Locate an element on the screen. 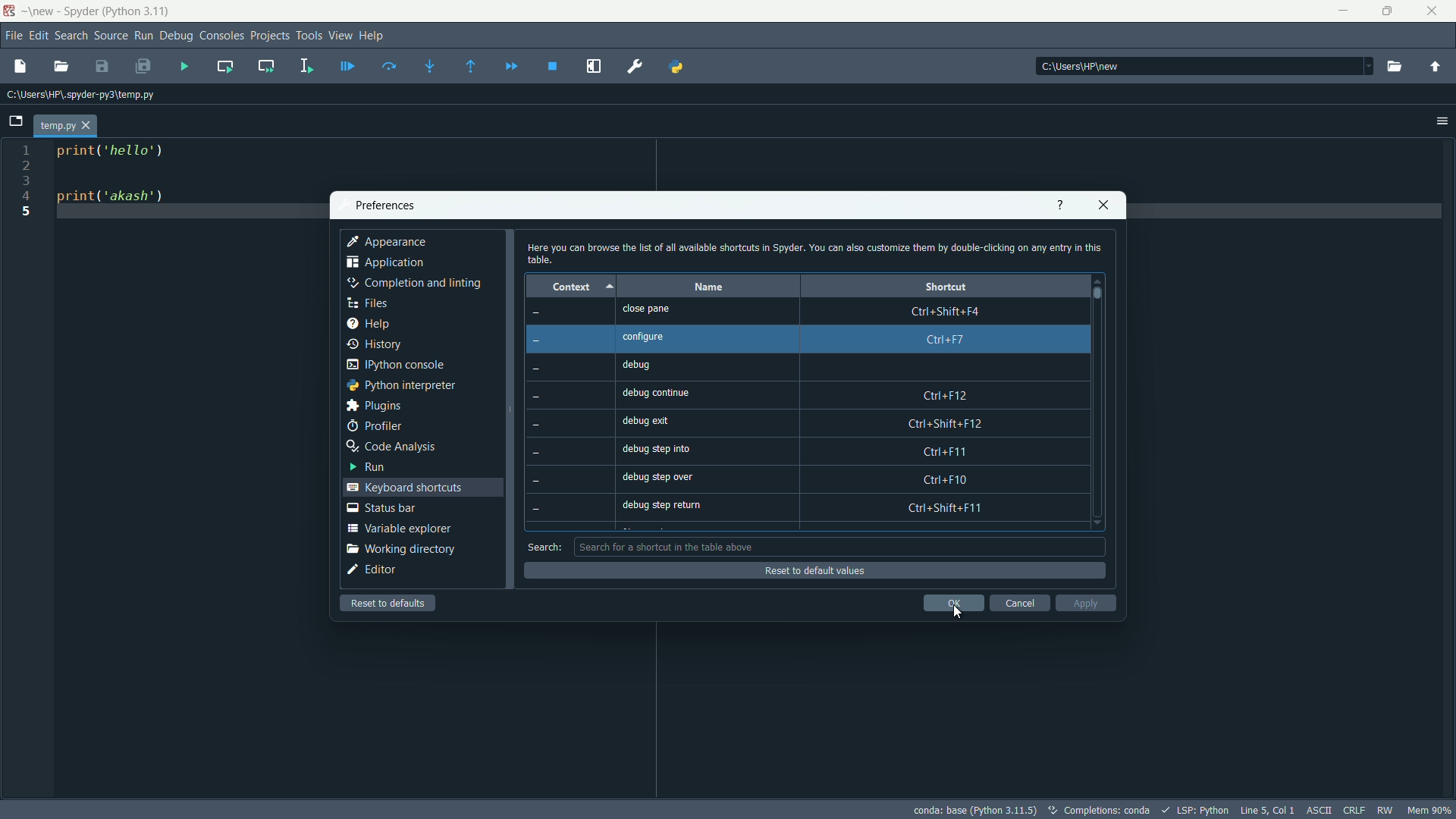  debug menu is located at coordinates (176, 36).